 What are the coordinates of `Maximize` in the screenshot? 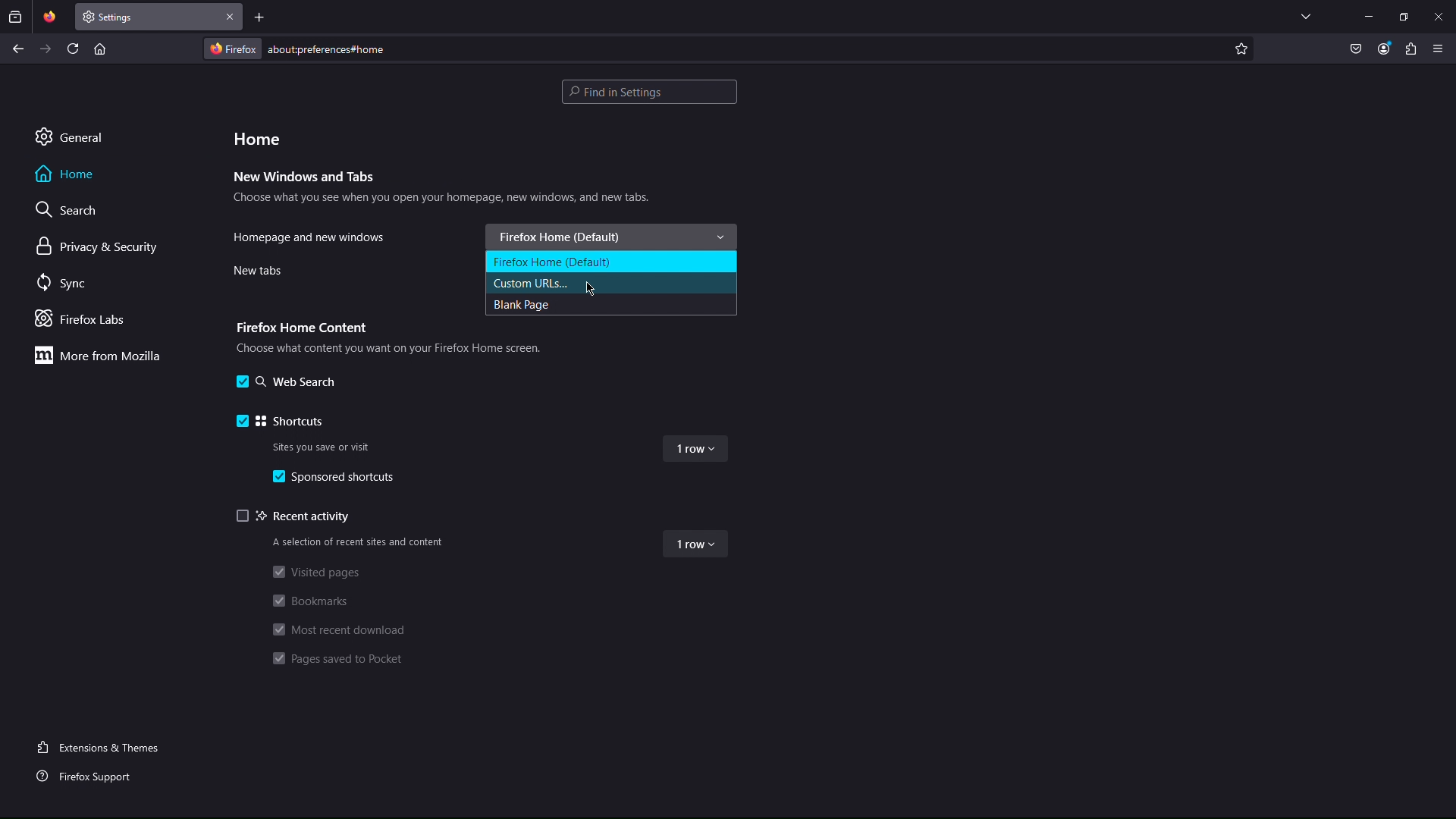 It's located at (1404, 16).